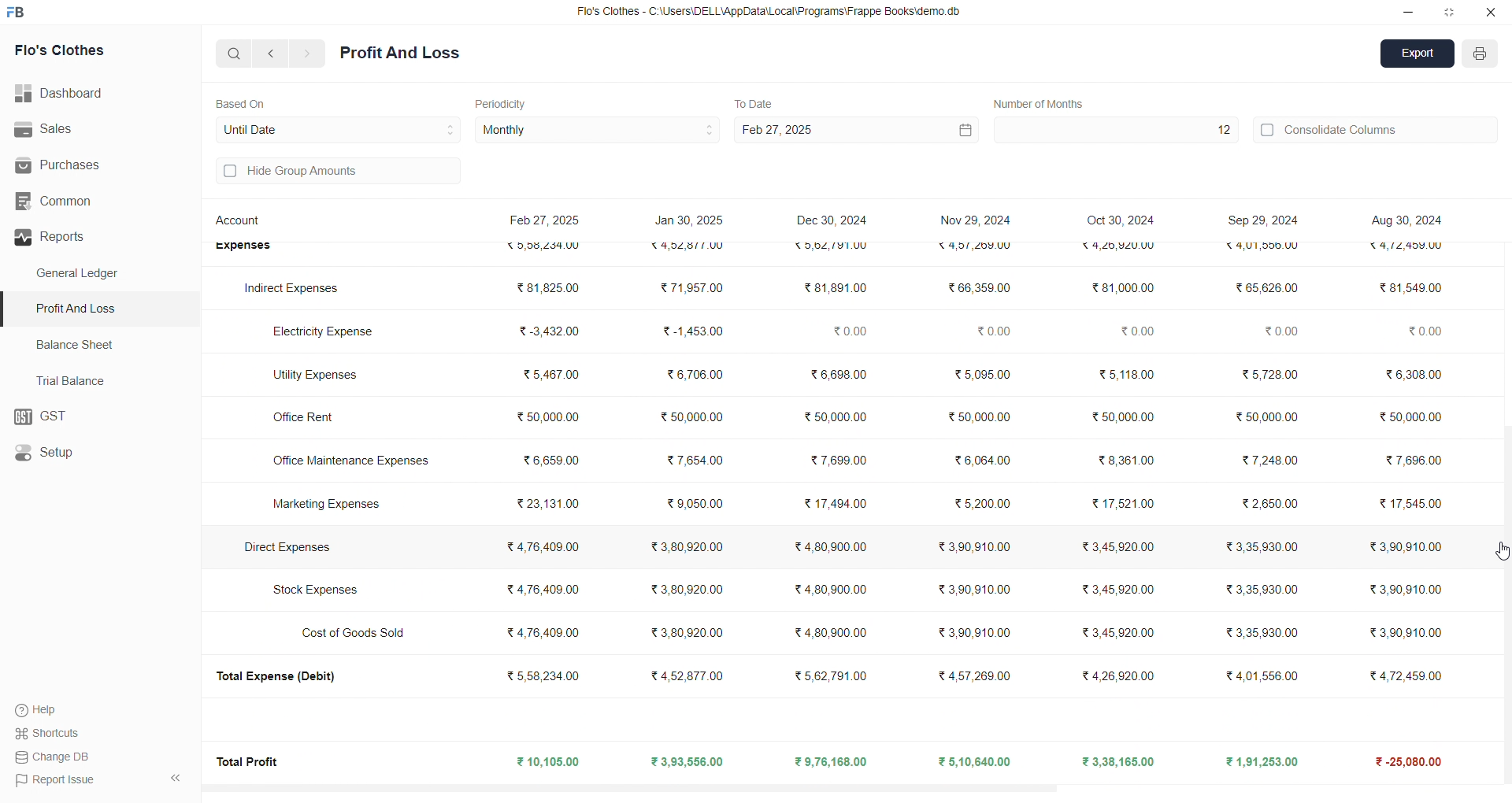  What do you see at coordinates (1266, 414) in the screenshot?
I see `₹ 50,000.00` at bounding box center [1266, 414].